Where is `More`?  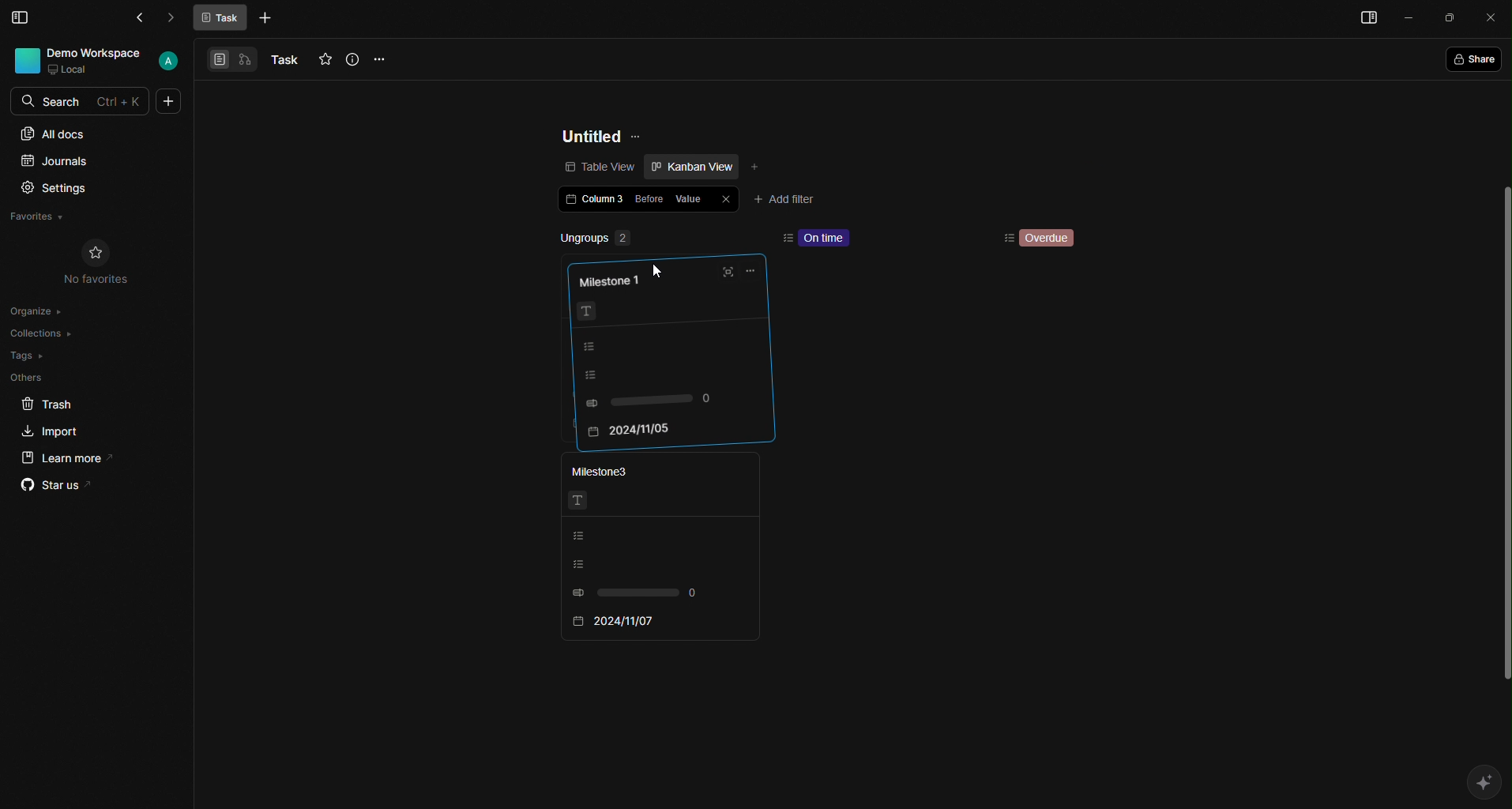 More is located at coordinates (265, 20).